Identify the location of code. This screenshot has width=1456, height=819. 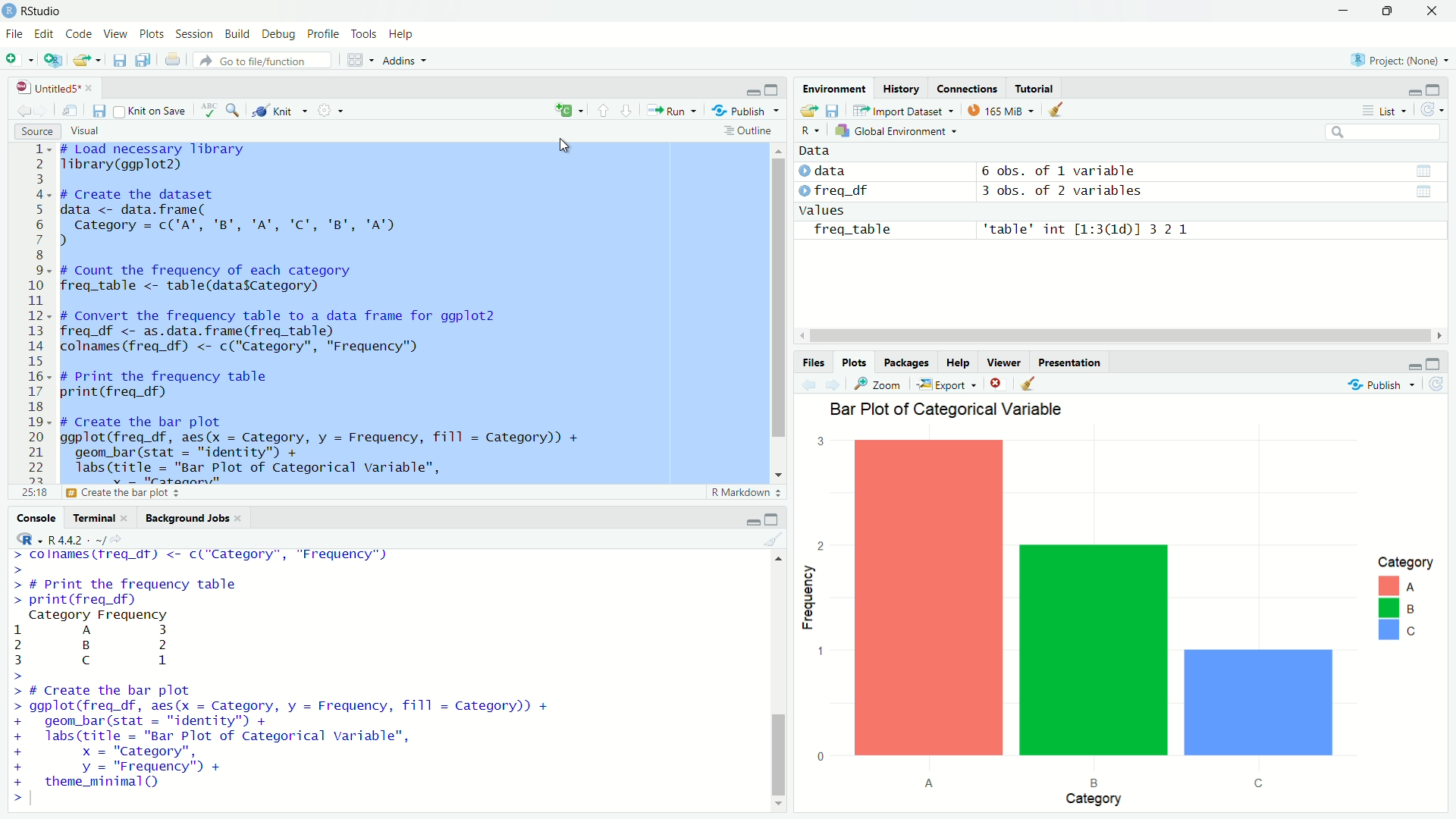
(79, 32).